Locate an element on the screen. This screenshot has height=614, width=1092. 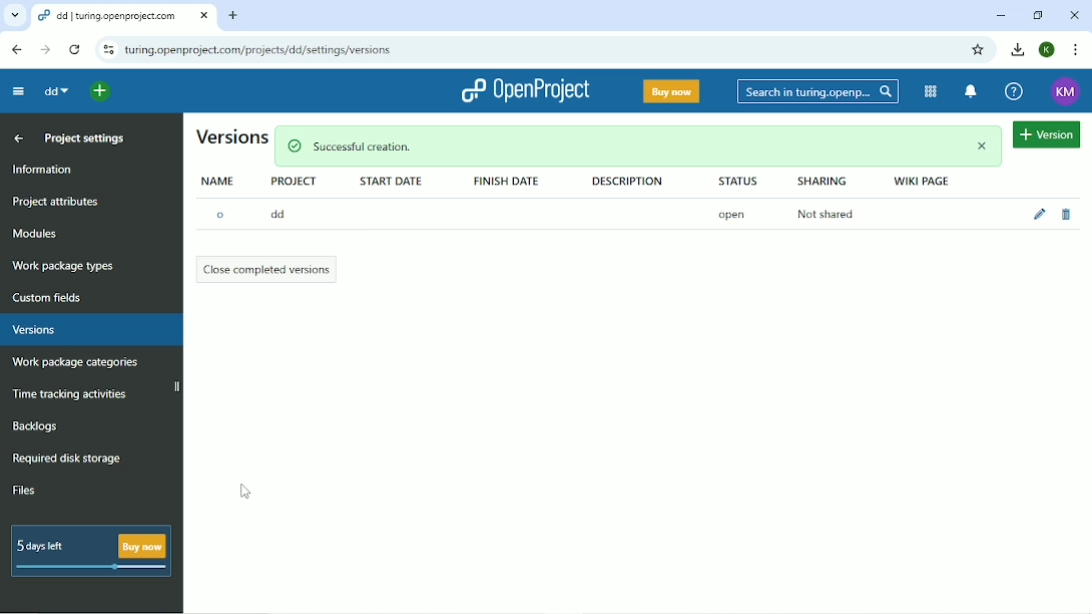
Project attributes is located at coordinates (55, 203).